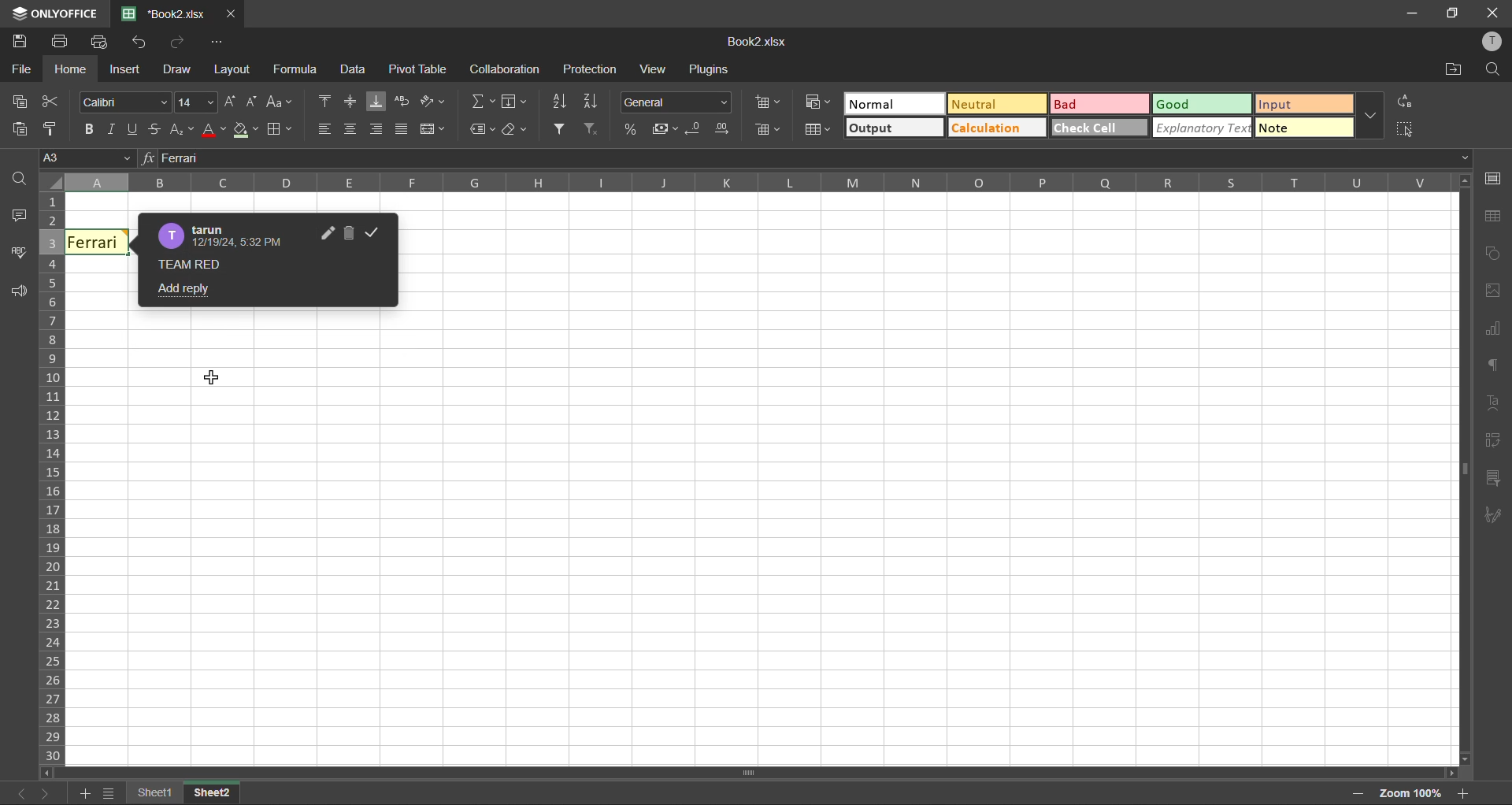 The height and width of the screenshot is (805, 1512). Describe the element at coordinates (710, 770) in the screenshot. I see `Vertical Scrollbar` at that location.